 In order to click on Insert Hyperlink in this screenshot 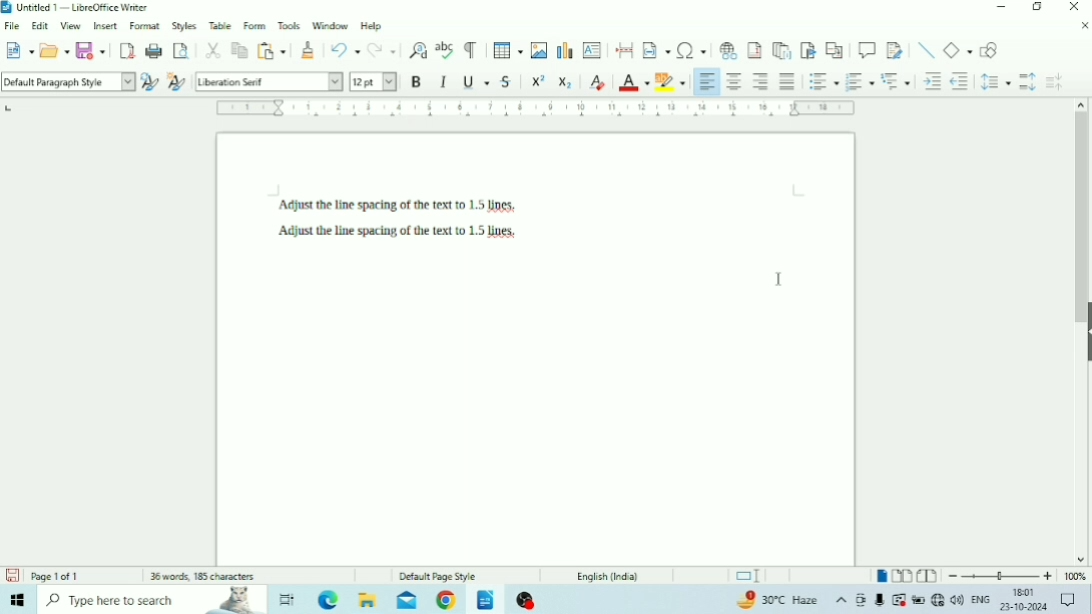, I will do `click(728, 49)`.